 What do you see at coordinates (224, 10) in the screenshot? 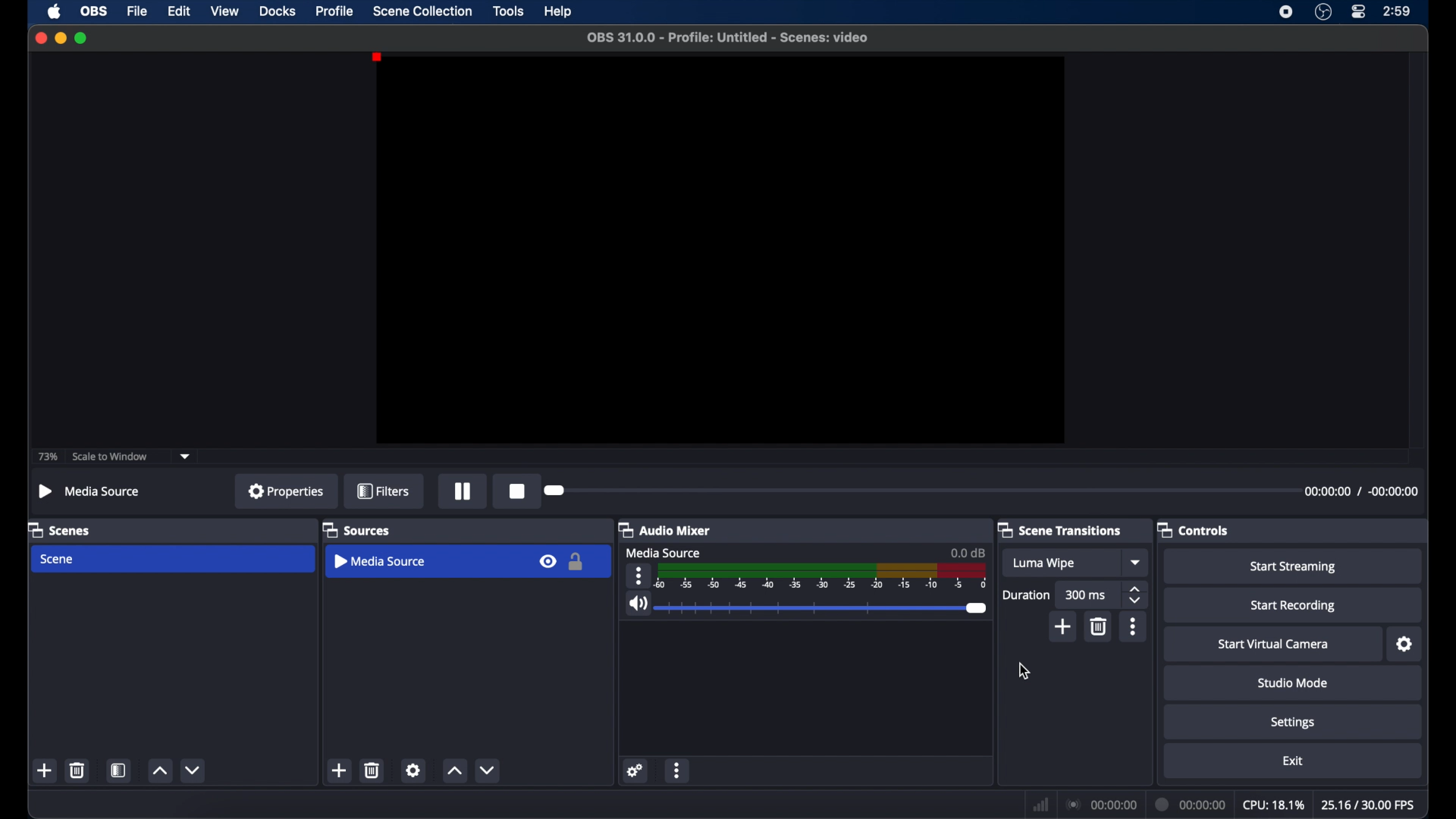
I see `view` at bounding box center [224, 10].